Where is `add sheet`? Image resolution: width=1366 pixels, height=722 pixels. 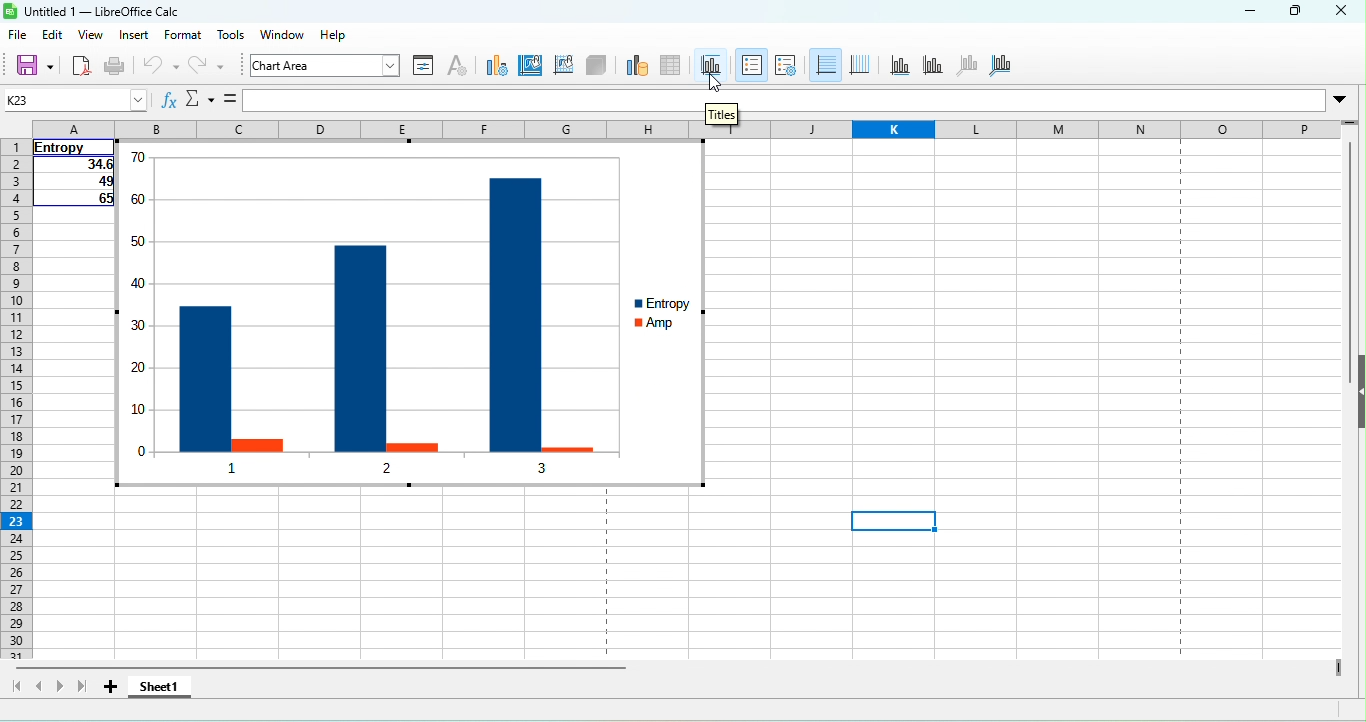 add sheet is located at coordinates (117, 688).